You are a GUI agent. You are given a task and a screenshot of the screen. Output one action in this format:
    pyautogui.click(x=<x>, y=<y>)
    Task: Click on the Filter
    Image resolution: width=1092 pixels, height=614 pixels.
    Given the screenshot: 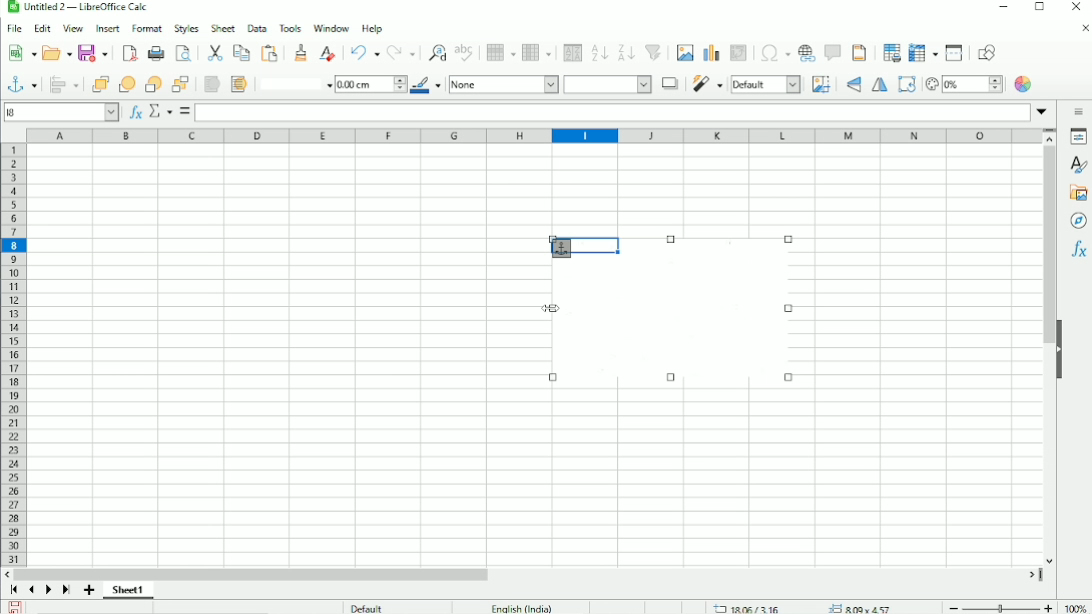 What is the action you would take?
    pyautogui.click(x=707, y=84)
    